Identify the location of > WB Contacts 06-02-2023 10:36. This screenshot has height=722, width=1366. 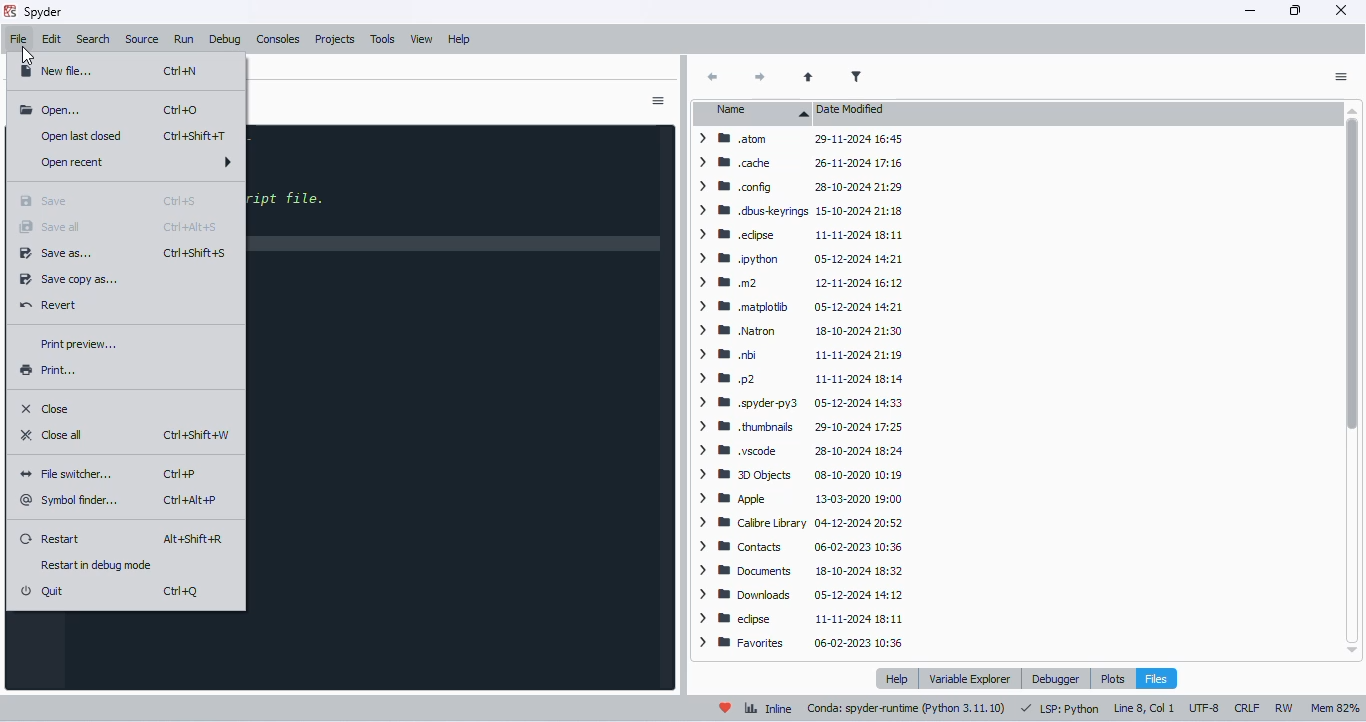
(797, 546).